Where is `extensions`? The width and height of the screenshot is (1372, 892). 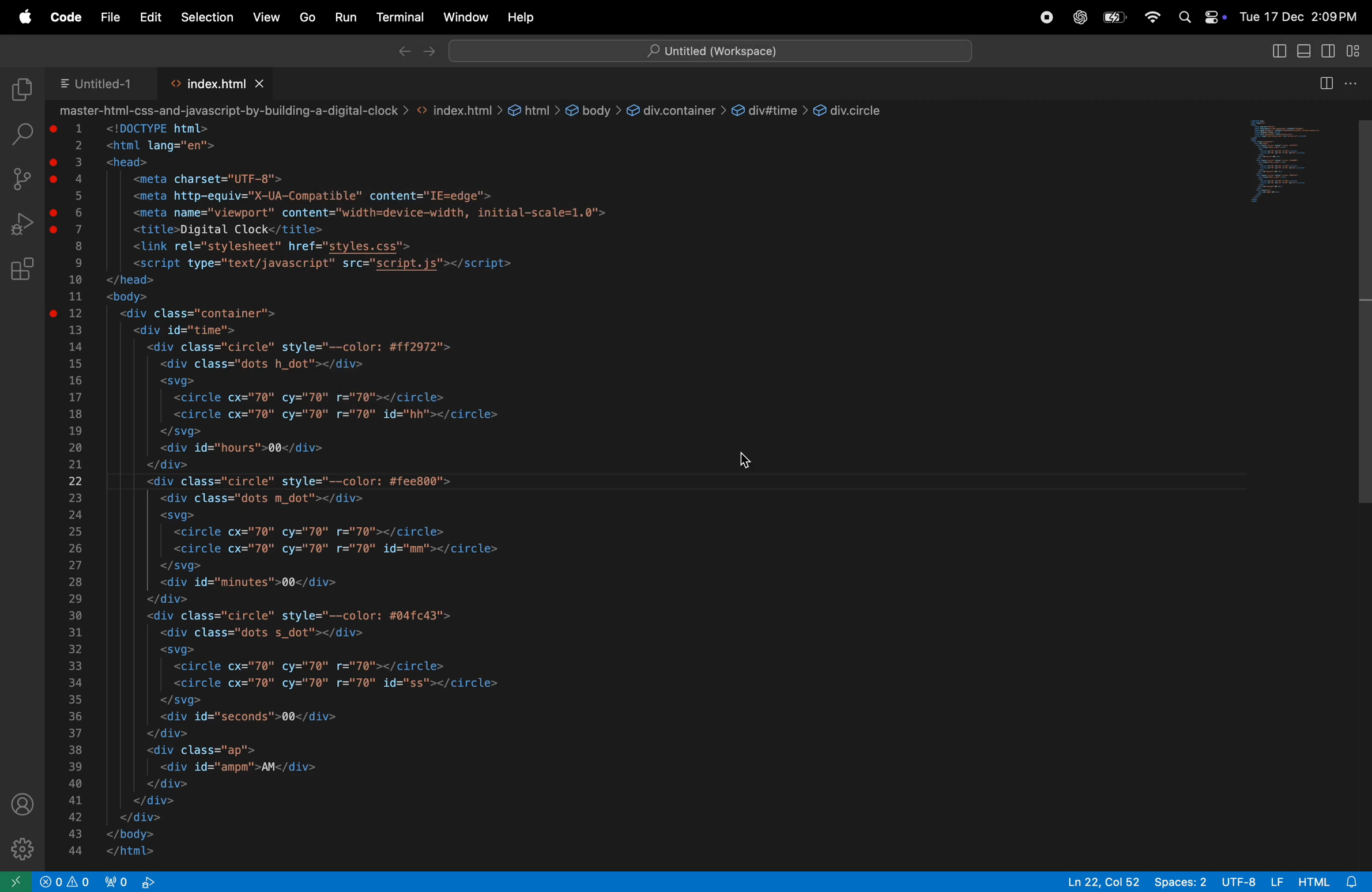
extensions is located at coordinates (21, 271).